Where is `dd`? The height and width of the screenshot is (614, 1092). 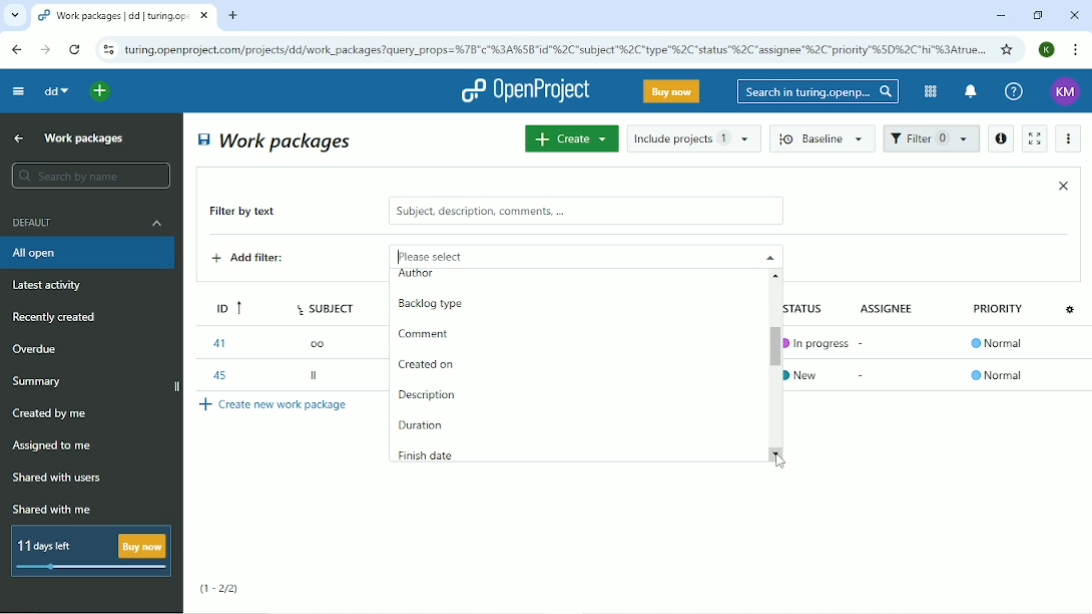 dd is located at coordinates (55, 91).